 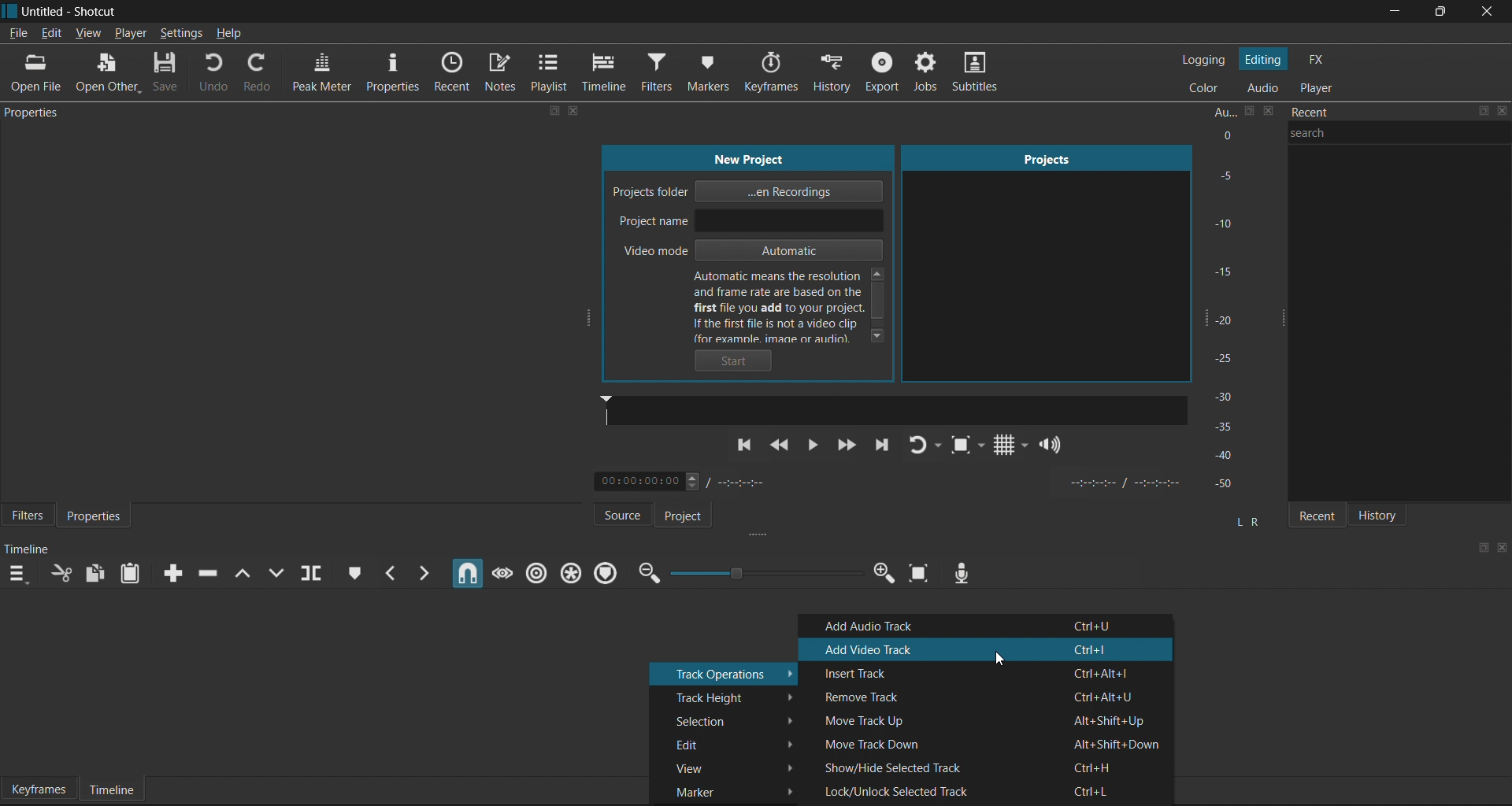 I want to click on Marker, so click(x=724, y=790).